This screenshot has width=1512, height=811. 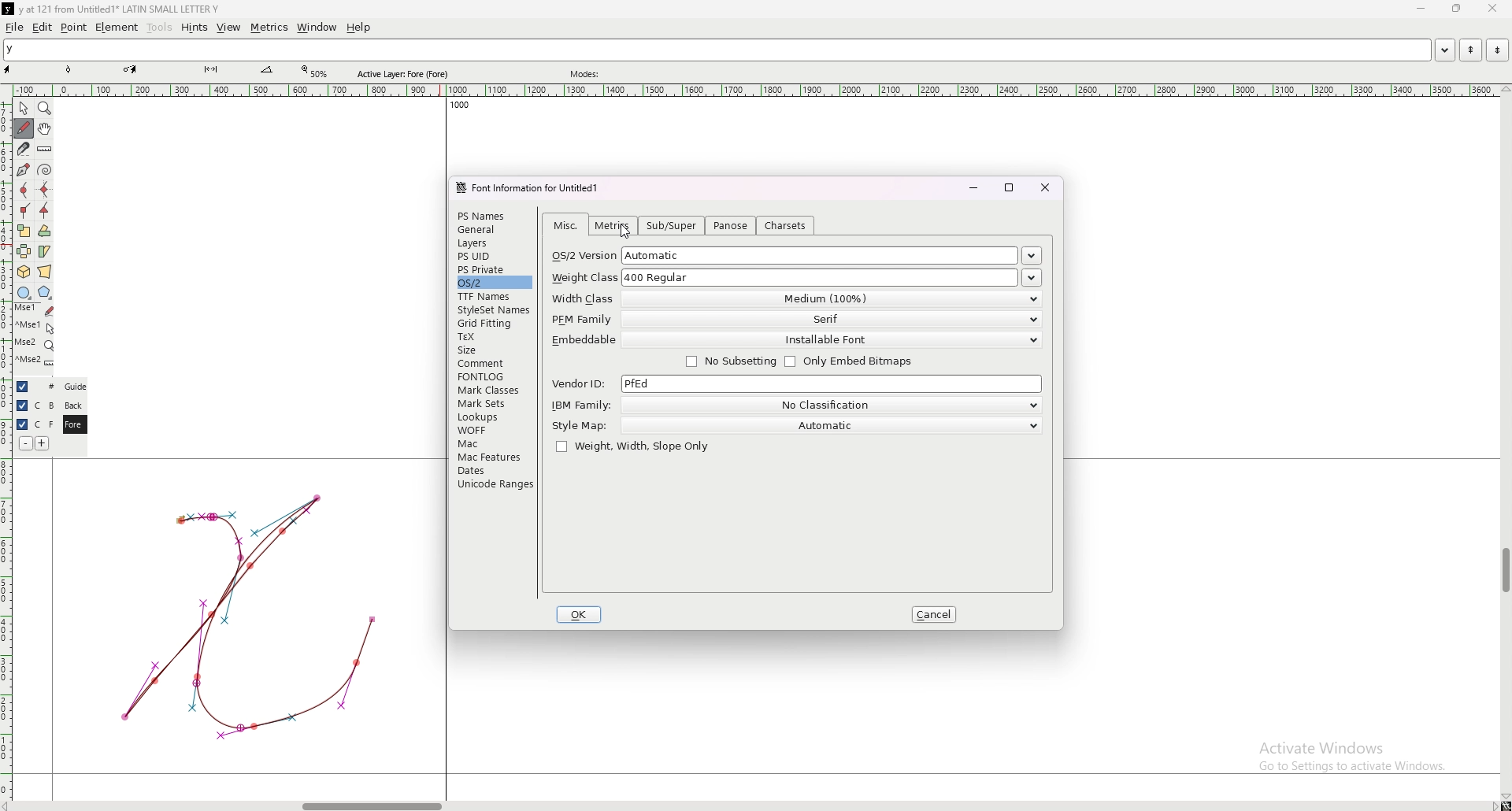 I want to click on next word, so click(x=1494, y=50).